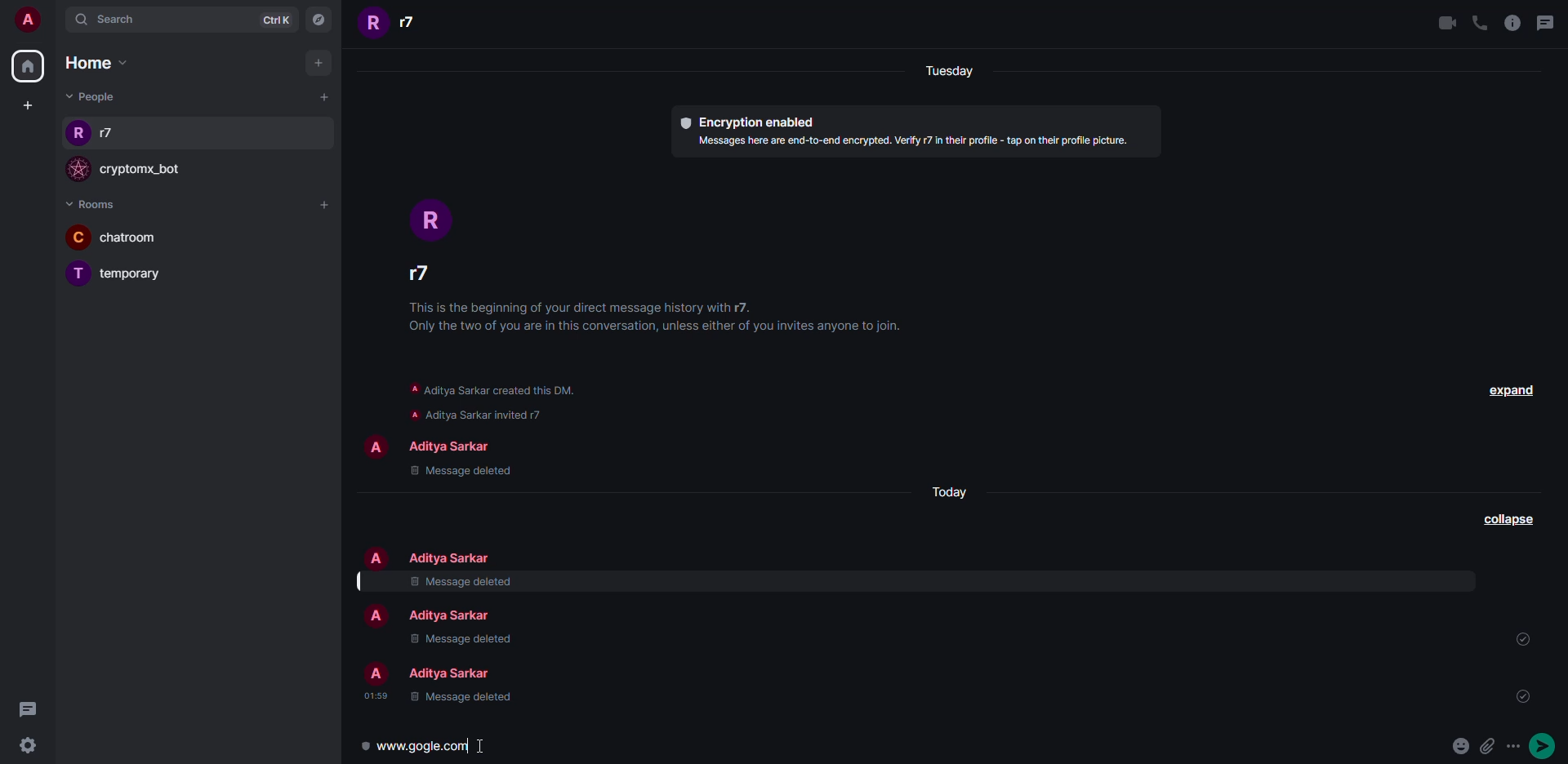  I want to click on sent, so click(1522, 639).